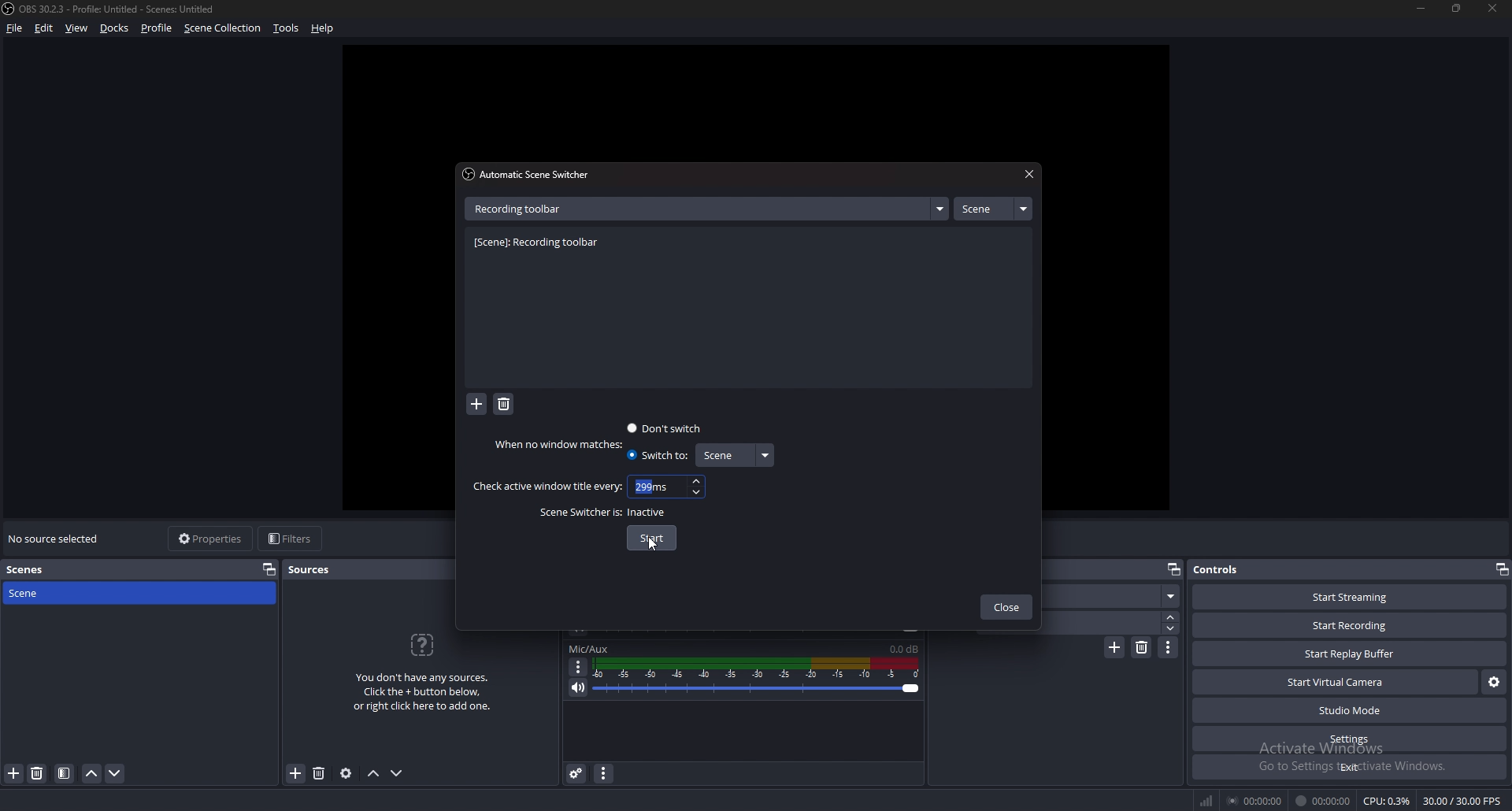 Image resolution: width=1512 pixels, height=811 pixels. I want to click on scene swithcer is: inactive, so click(605, 513).